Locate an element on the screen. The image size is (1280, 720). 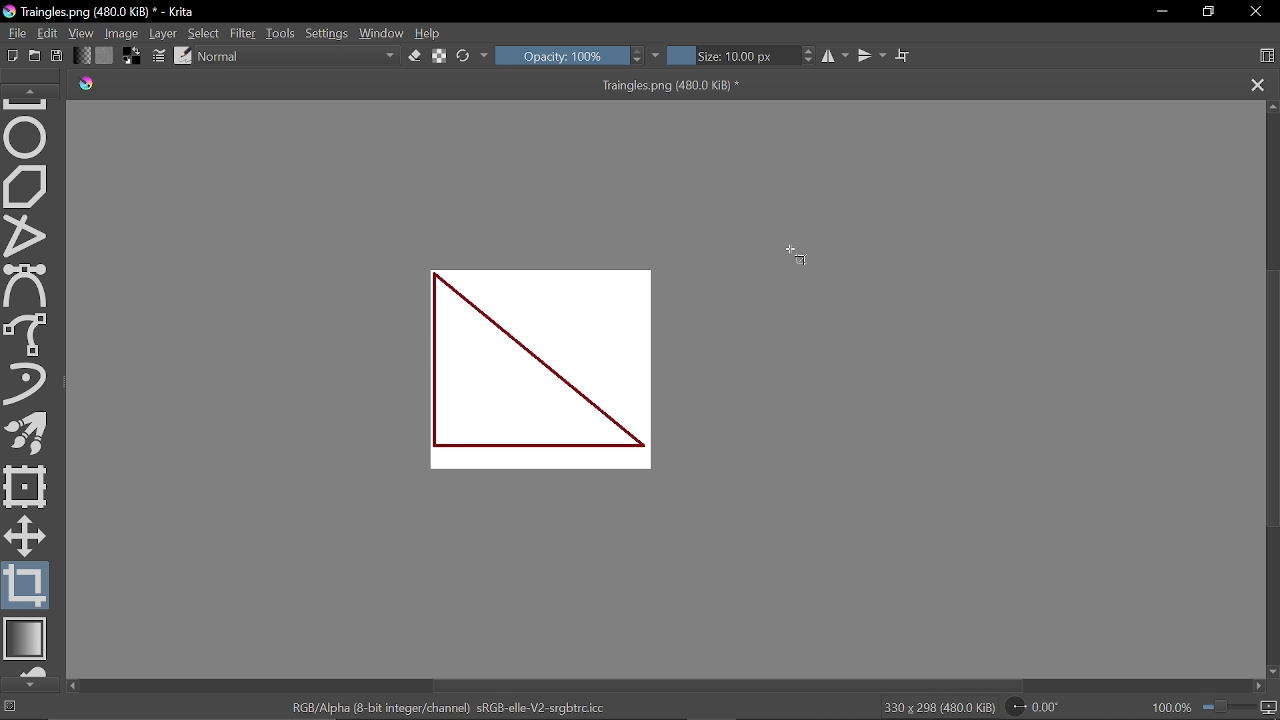
Vertical scrollbar is located at coordinates (665, 686).